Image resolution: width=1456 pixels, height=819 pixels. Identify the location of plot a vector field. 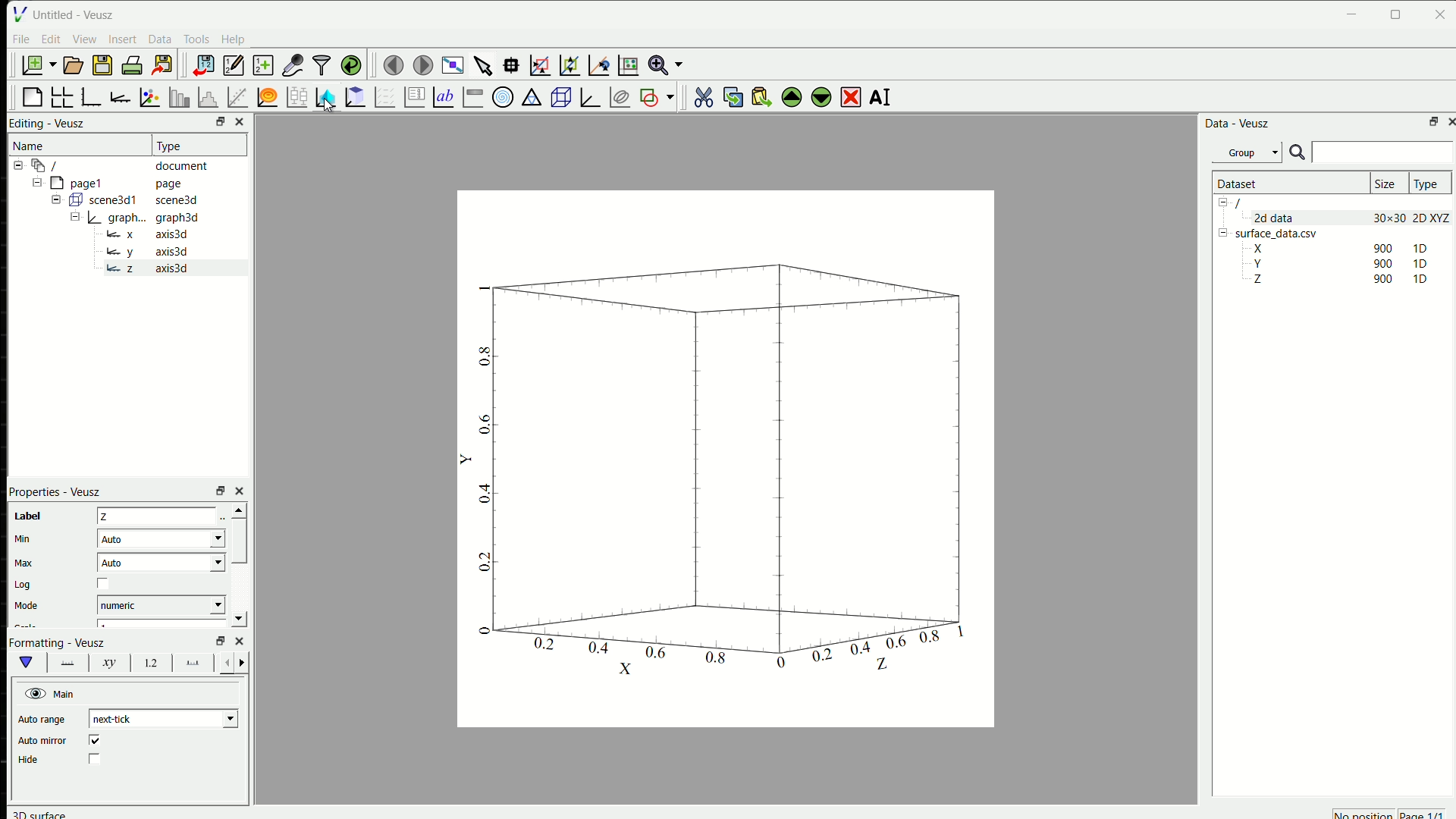
(385, 96).